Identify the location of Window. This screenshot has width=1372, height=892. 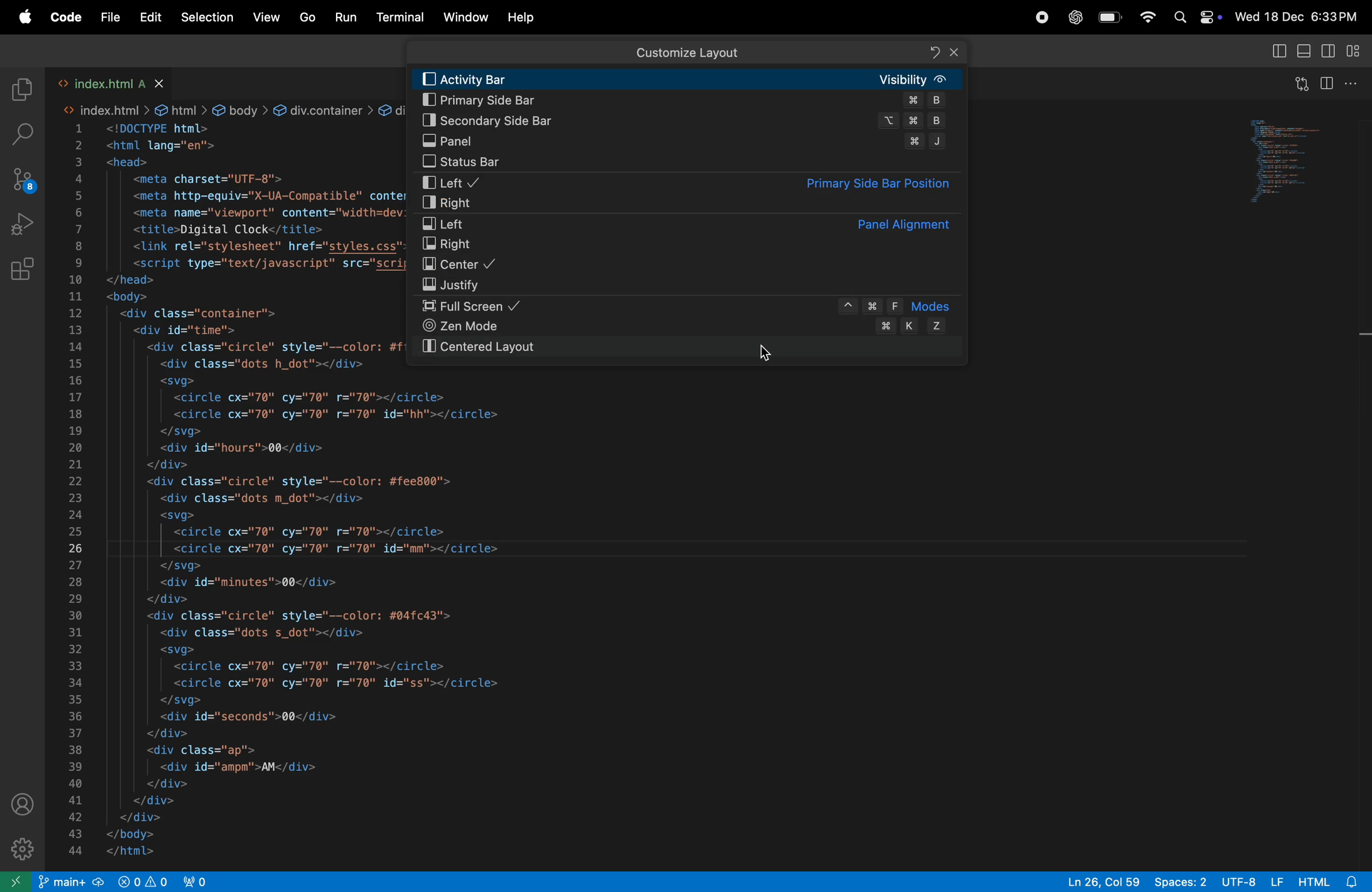
(463, 18).